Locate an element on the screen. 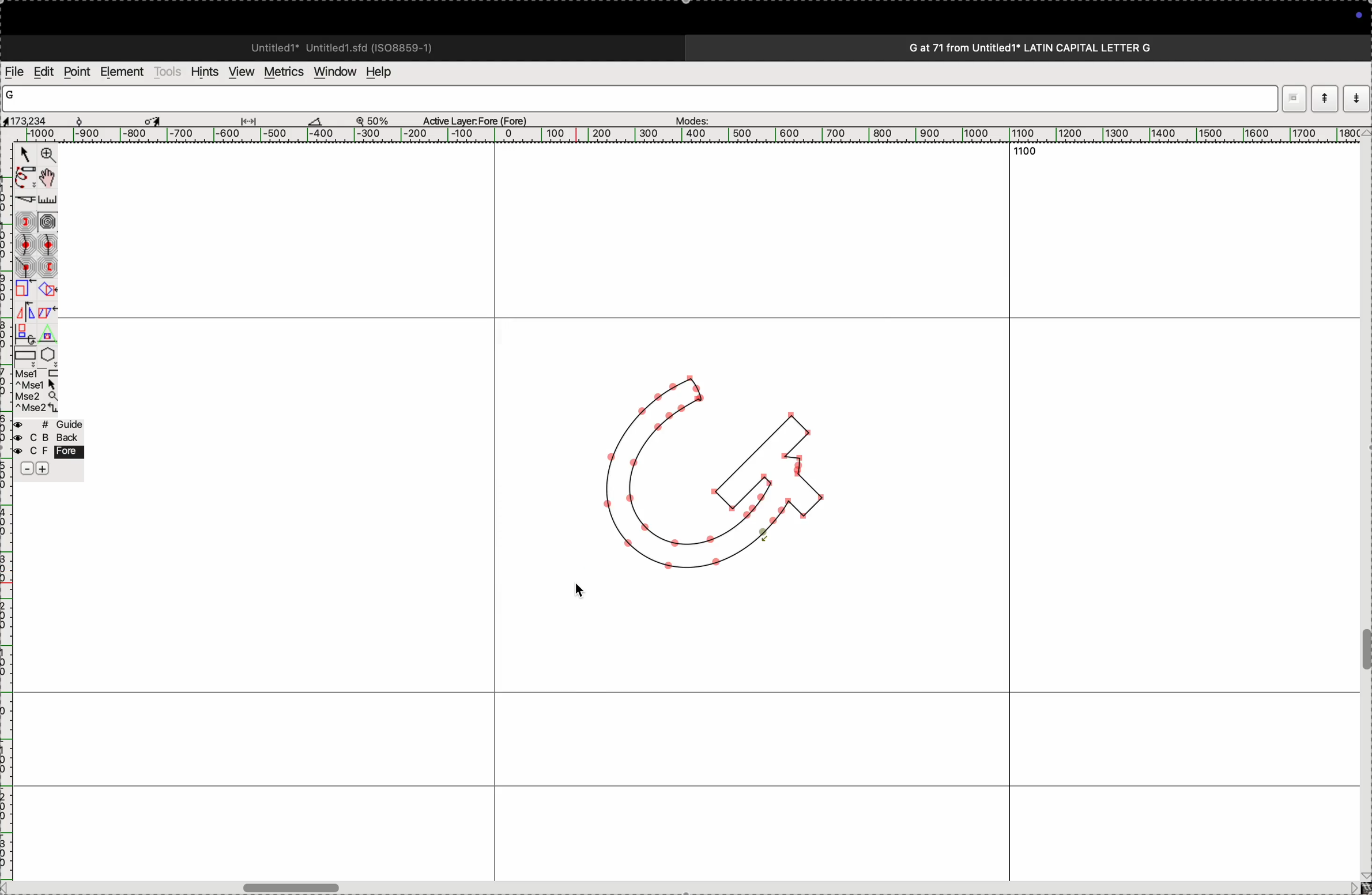 The width and height of the screenshot is (1372, 895). knife is located at coordinates (24, 201).